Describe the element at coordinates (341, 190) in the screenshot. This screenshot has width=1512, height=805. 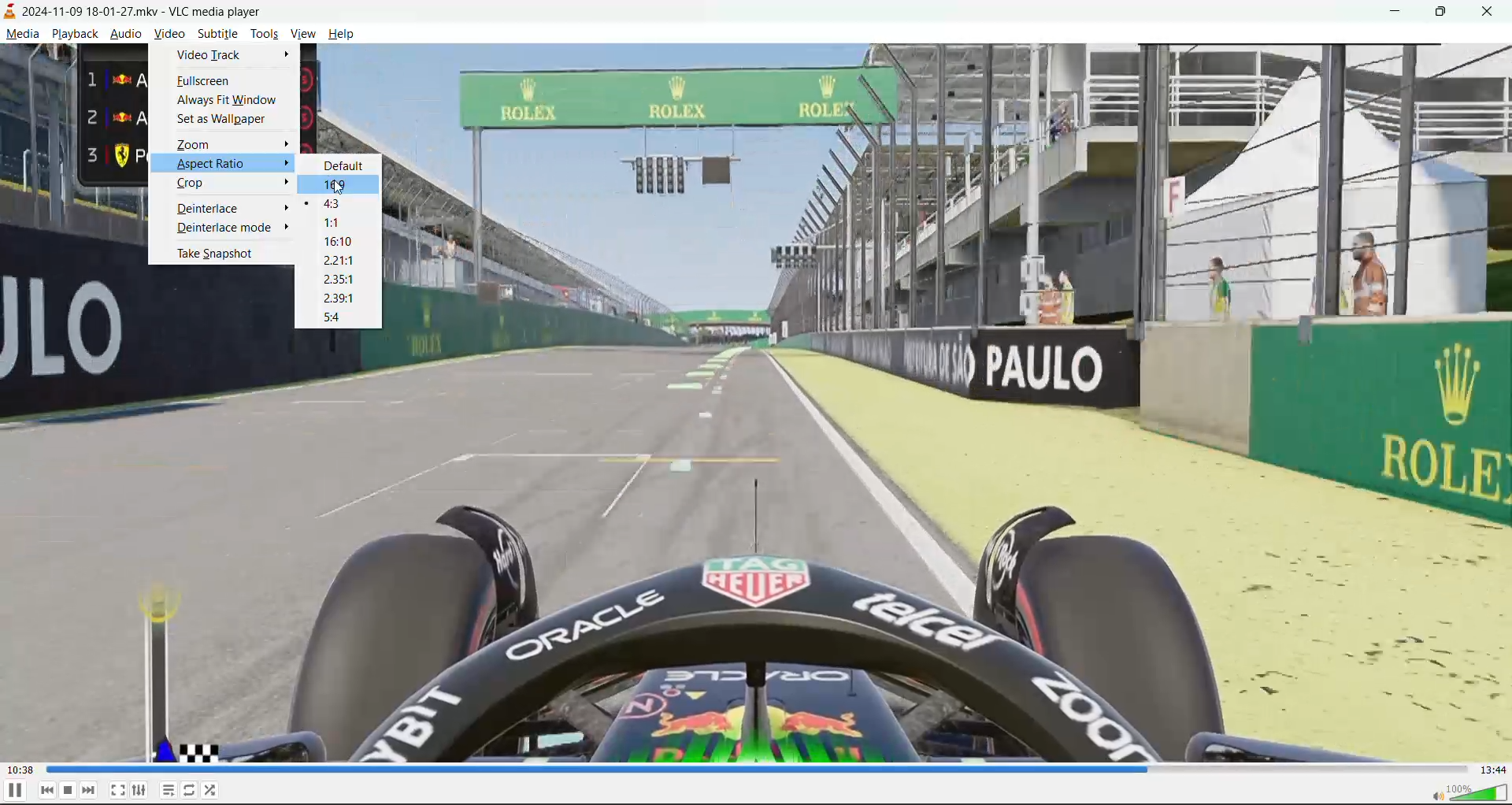
I see `cursor` at that location.